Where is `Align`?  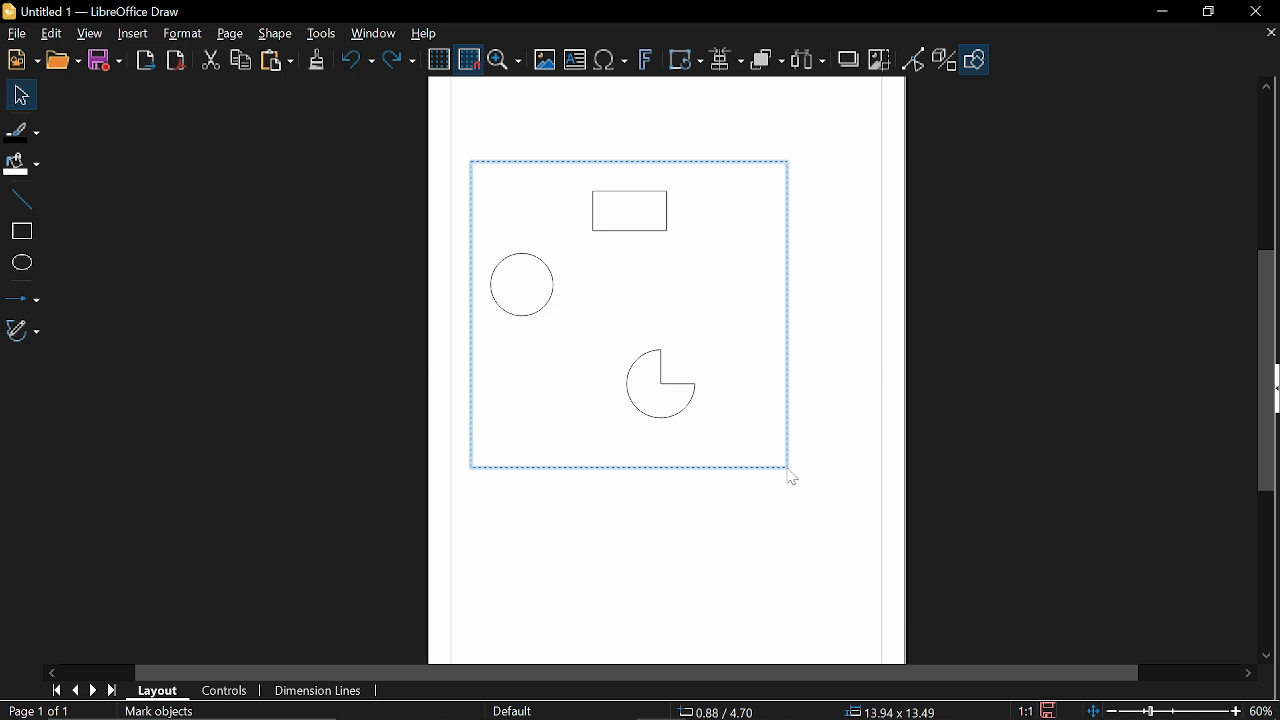
Align is located at coordinates (726, 60).